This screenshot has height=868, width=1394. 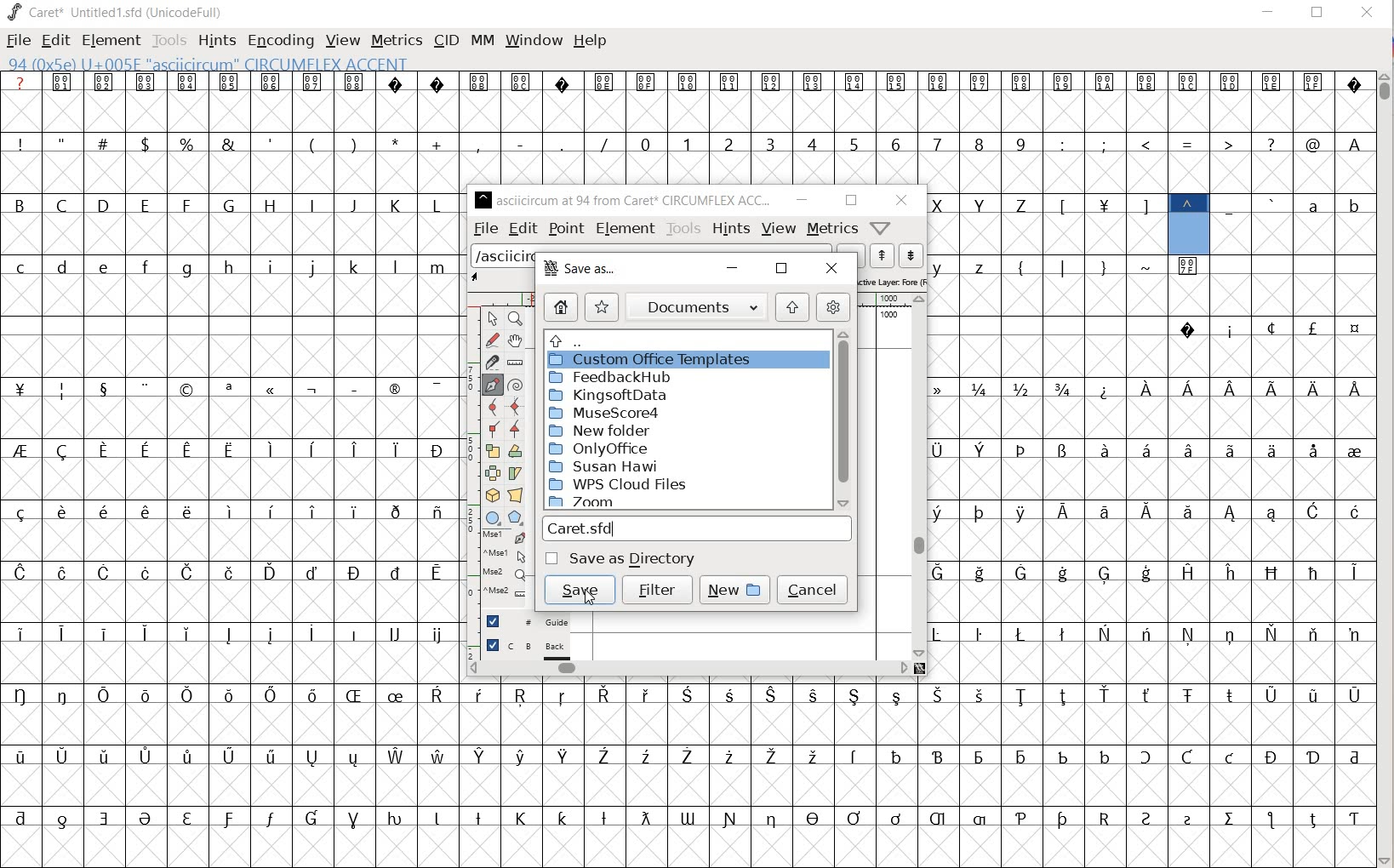 What do you see at coordinates (700, 528) in the screenshot?
I see `caret.sfd` at bounding box center [700, 528].